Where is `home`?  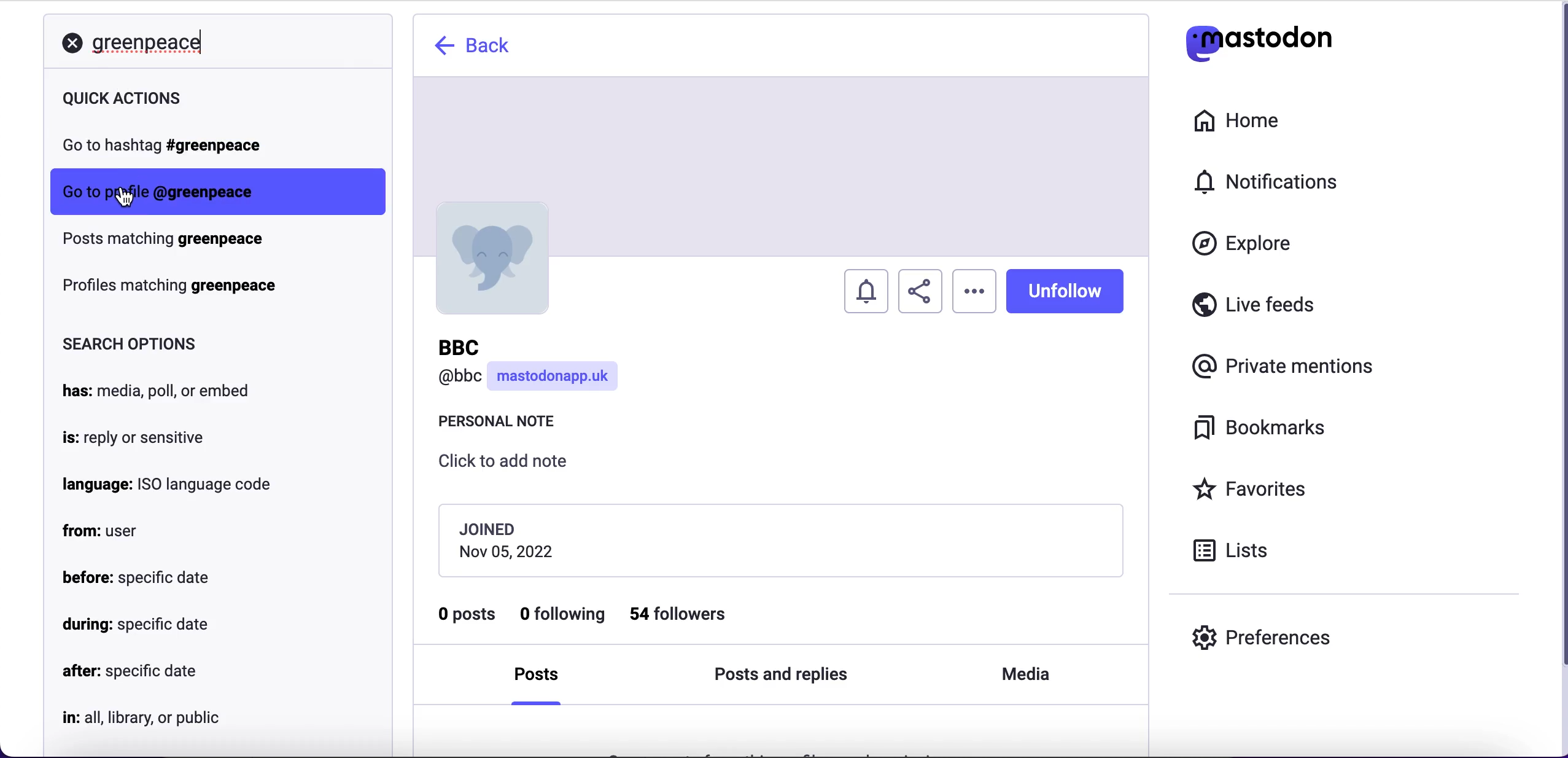
home is located at coordinates (1234, 121).